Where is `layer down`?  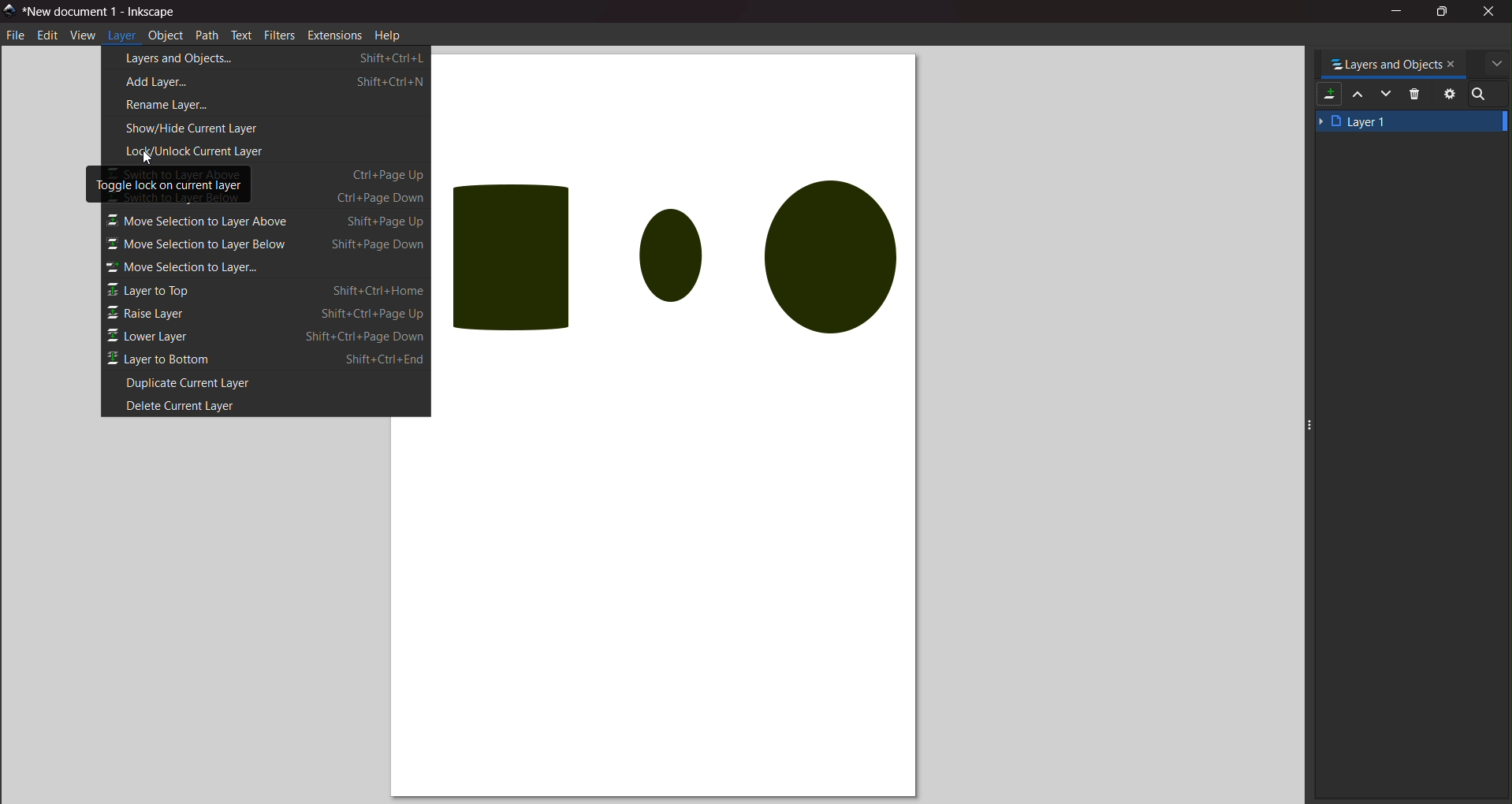
layer down is located at coordinates (266, 244).